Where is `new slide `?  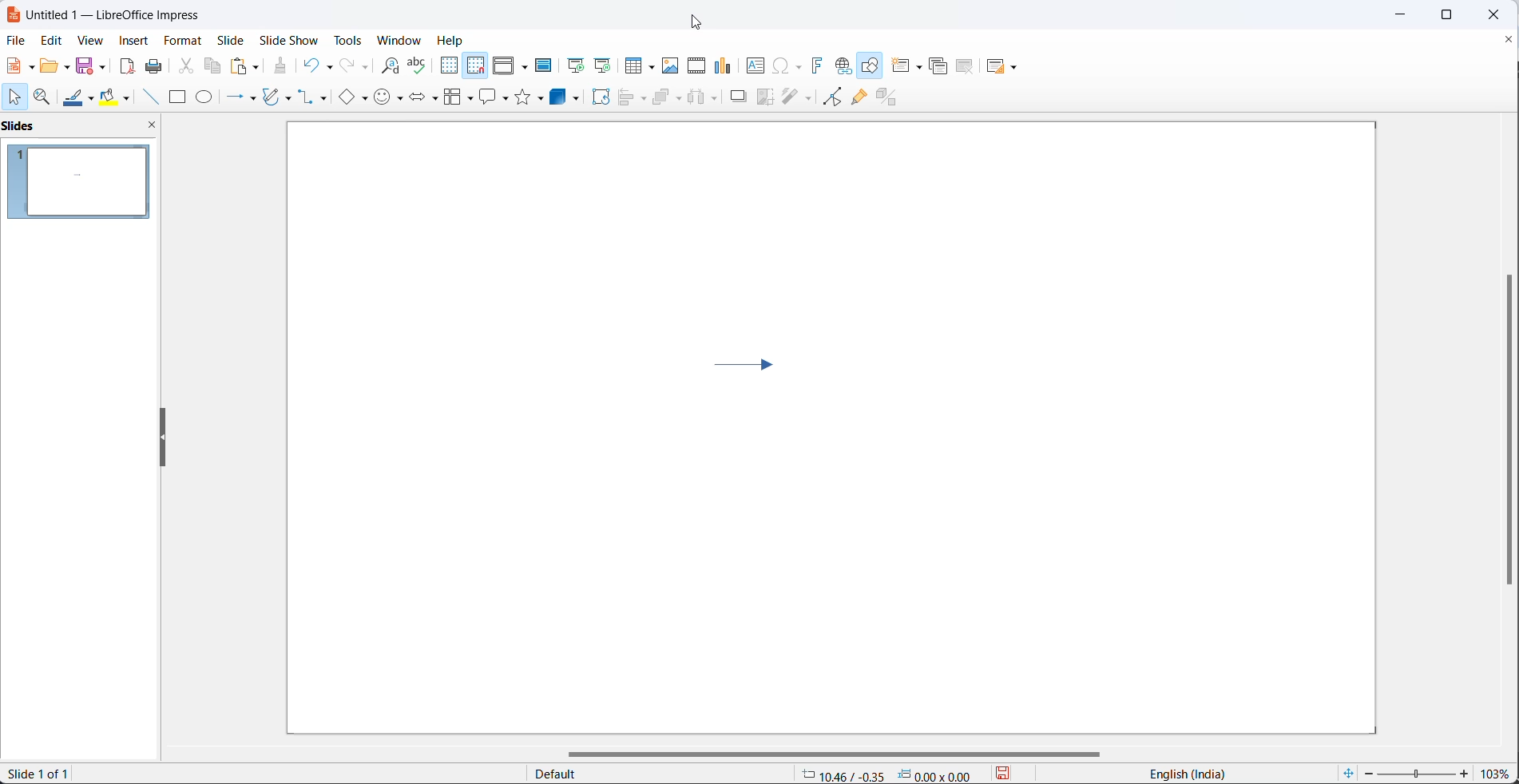
new slide  is located at coordinates (909, 65).